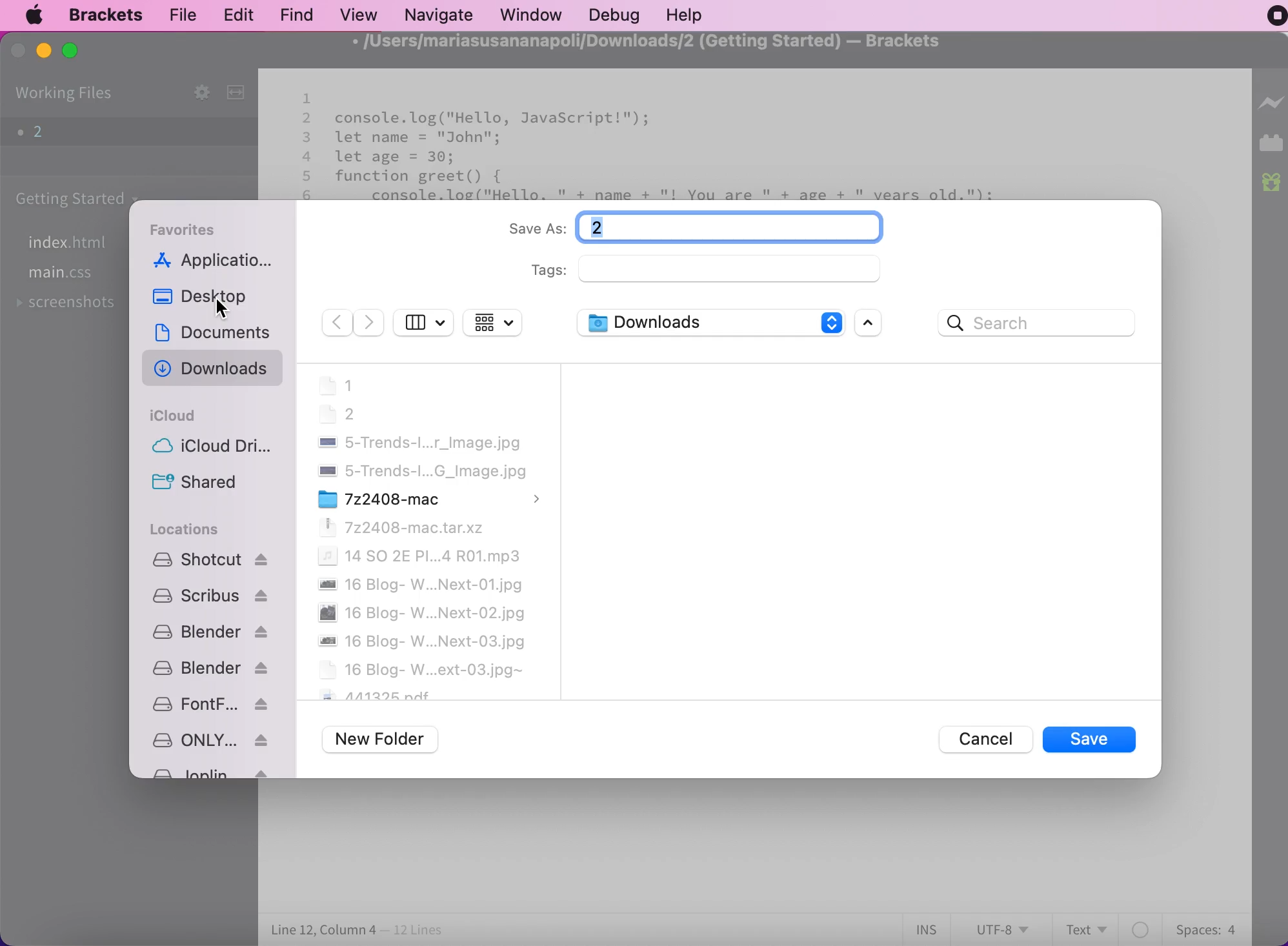 This screenshot has height=946, width=1288. I want to click on cloud, so click(174, 416).